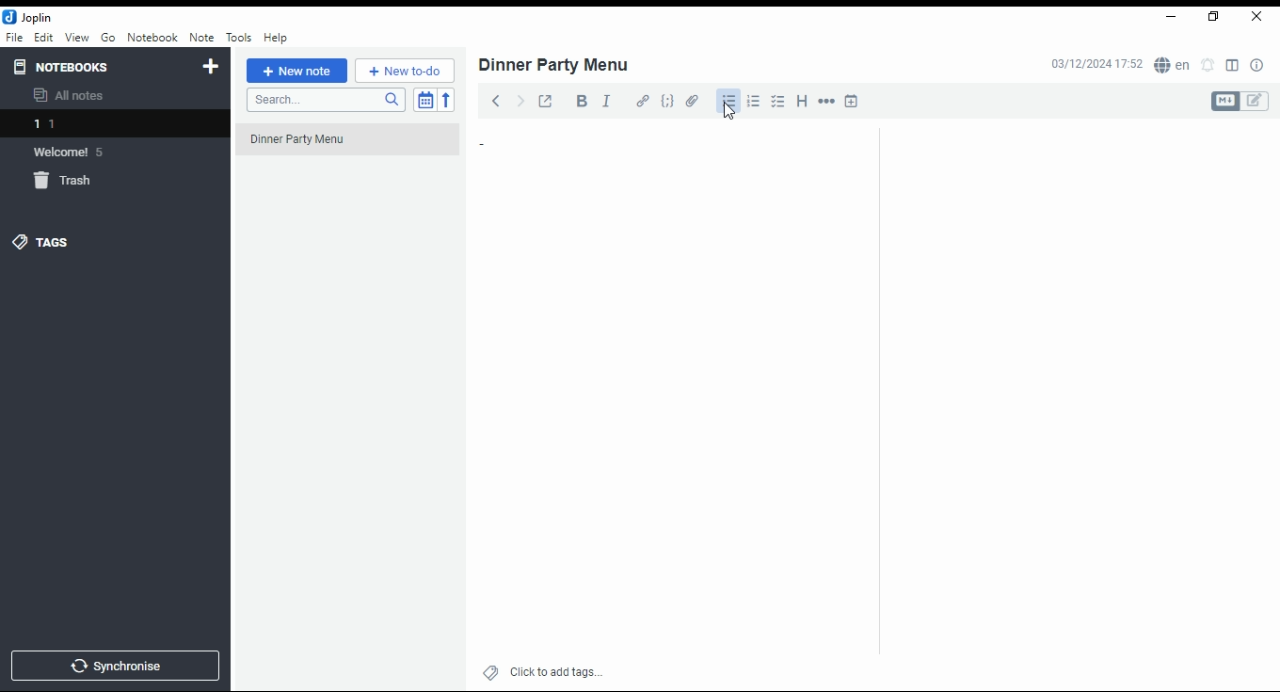 Image resolution: width=1280 pixels, height=692 pixels. I want to click on minimize, so click(1172, 17).